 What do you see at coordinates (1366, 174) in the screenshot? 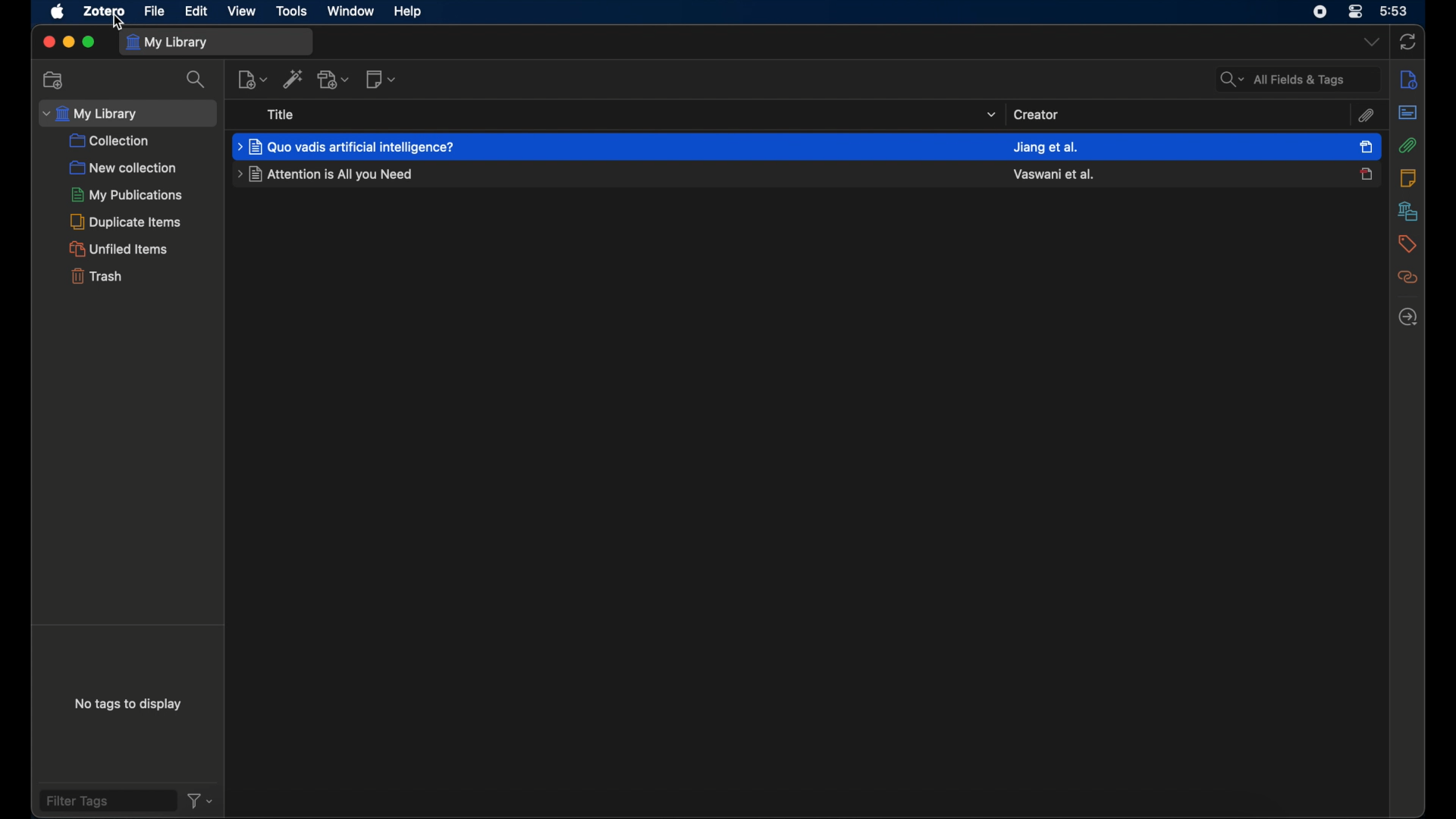
I see `journal unselected` at bounding box center [1366, 174].